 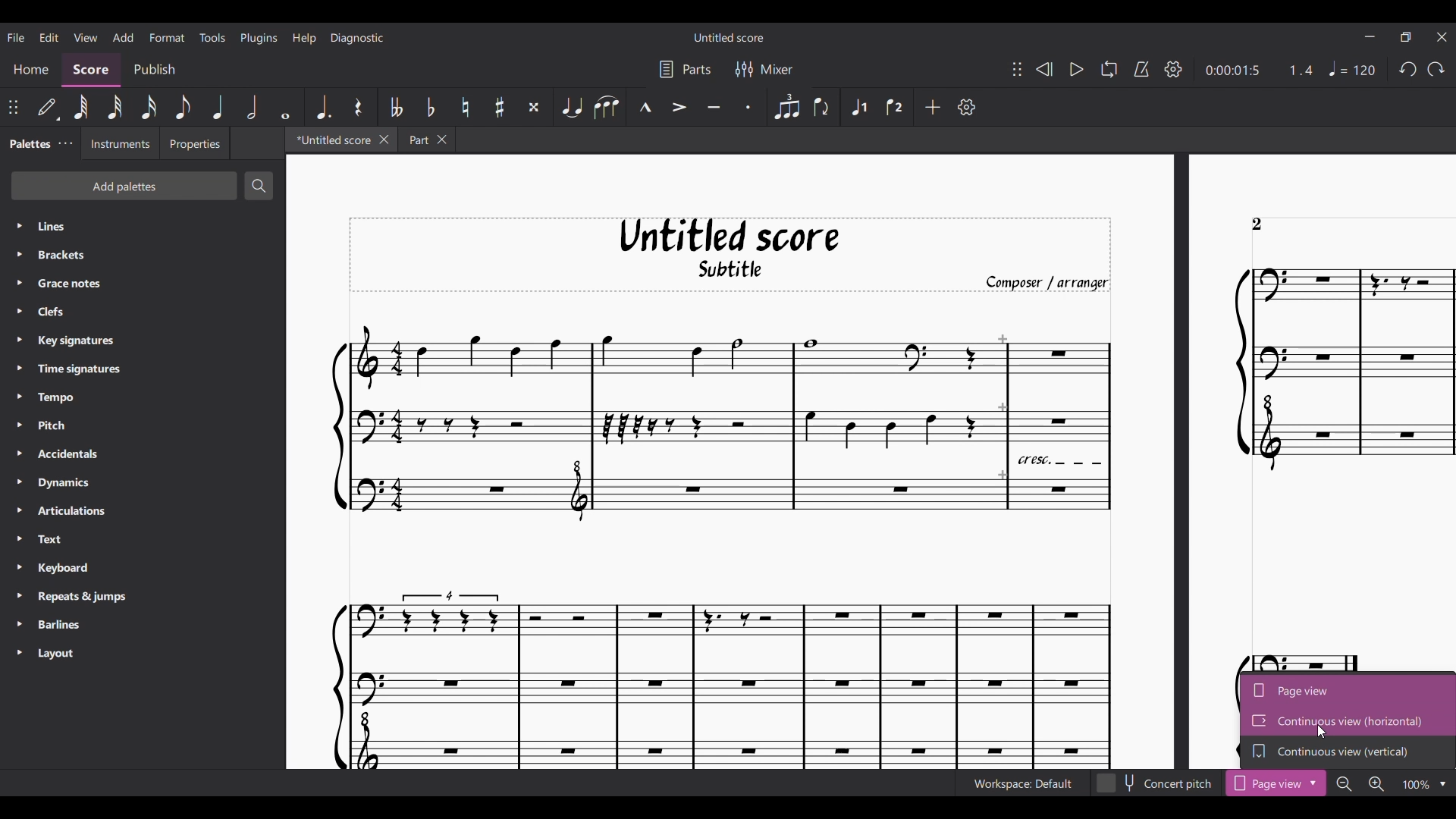 I want to click on Redo, so click(x=1436, y=70).